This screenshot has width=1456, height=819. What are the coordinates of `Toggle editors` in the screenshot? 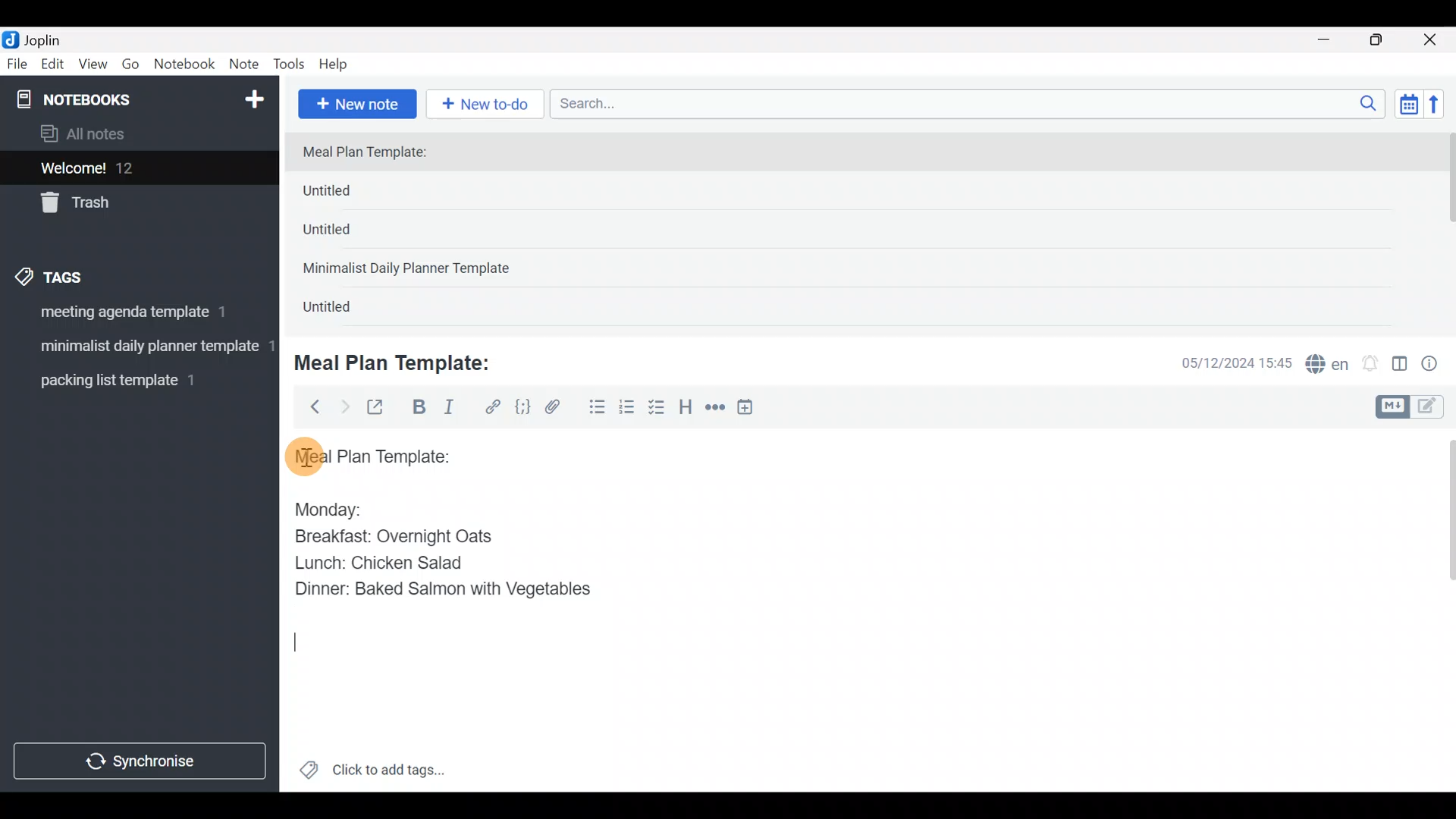 It's located at (1414, 405).